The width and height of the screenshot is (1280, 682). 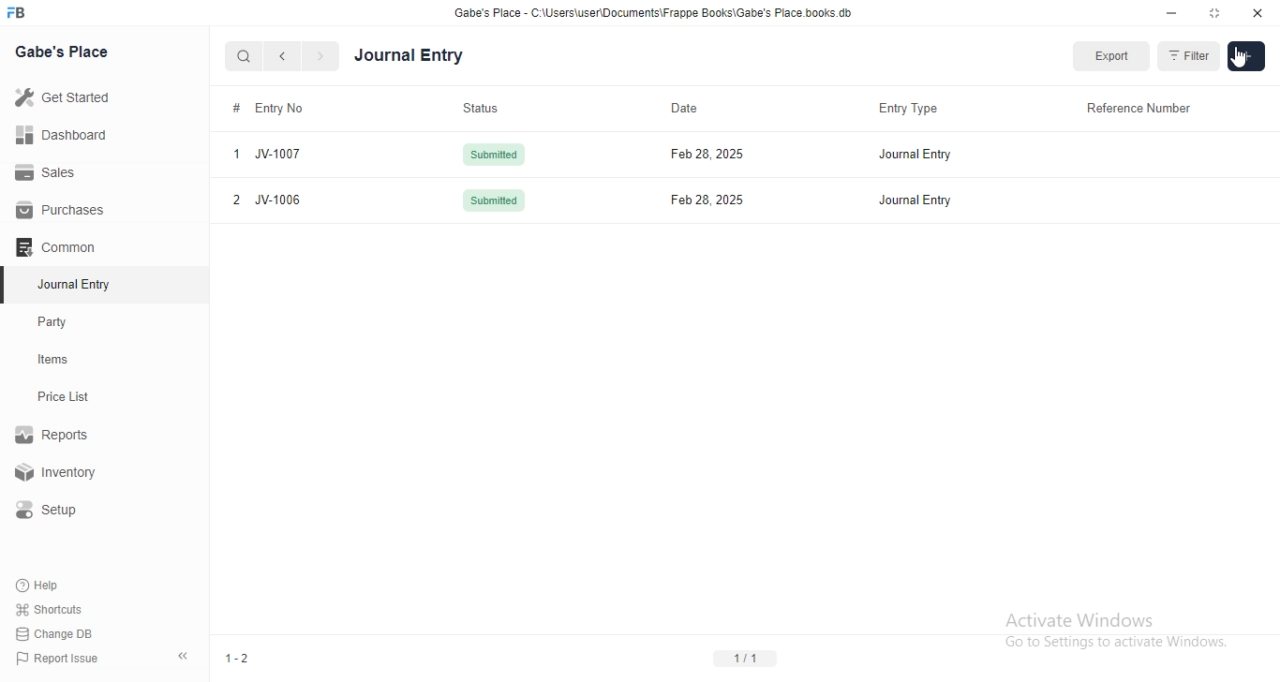 I want to click on Gabe's Place, so click(x=64, y=51).